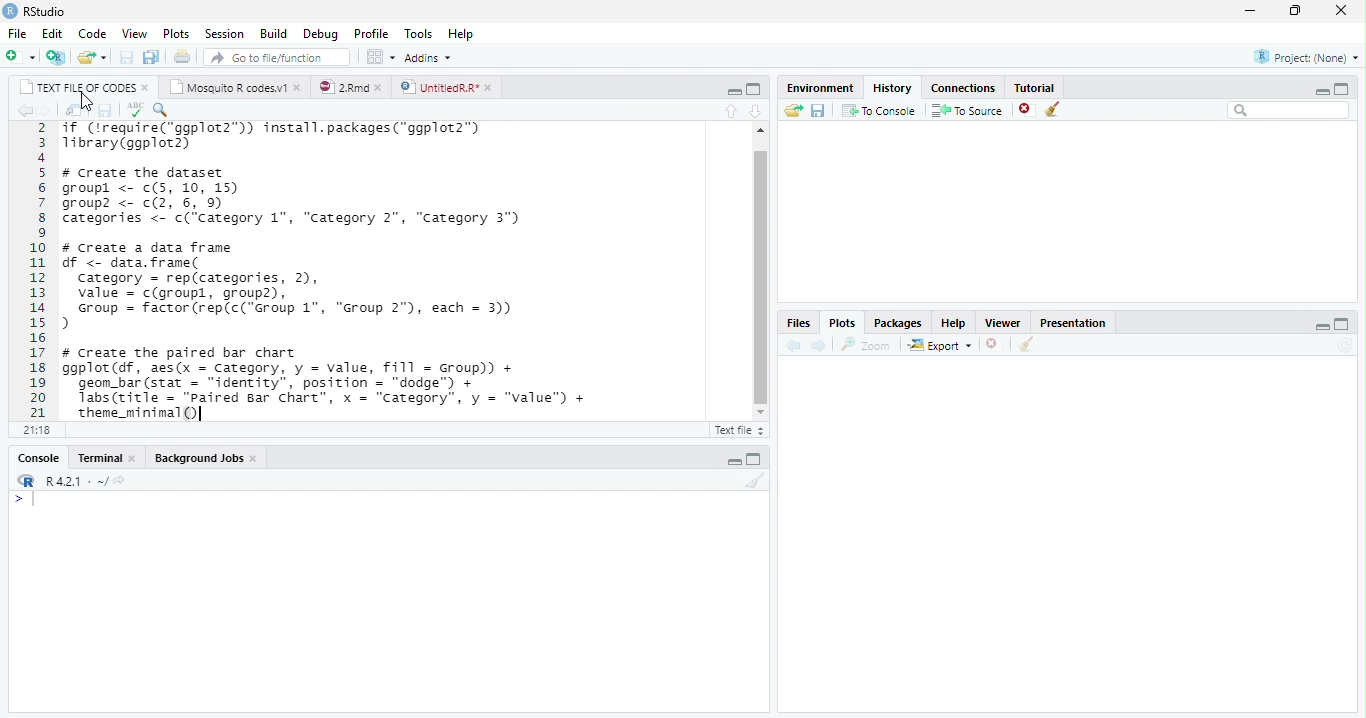 The height and width of the screenshot is (718, 1366). What do you see at coordinates (105, 110) in the screenshot?
I see `save current document` at bounding box center [105, 110].